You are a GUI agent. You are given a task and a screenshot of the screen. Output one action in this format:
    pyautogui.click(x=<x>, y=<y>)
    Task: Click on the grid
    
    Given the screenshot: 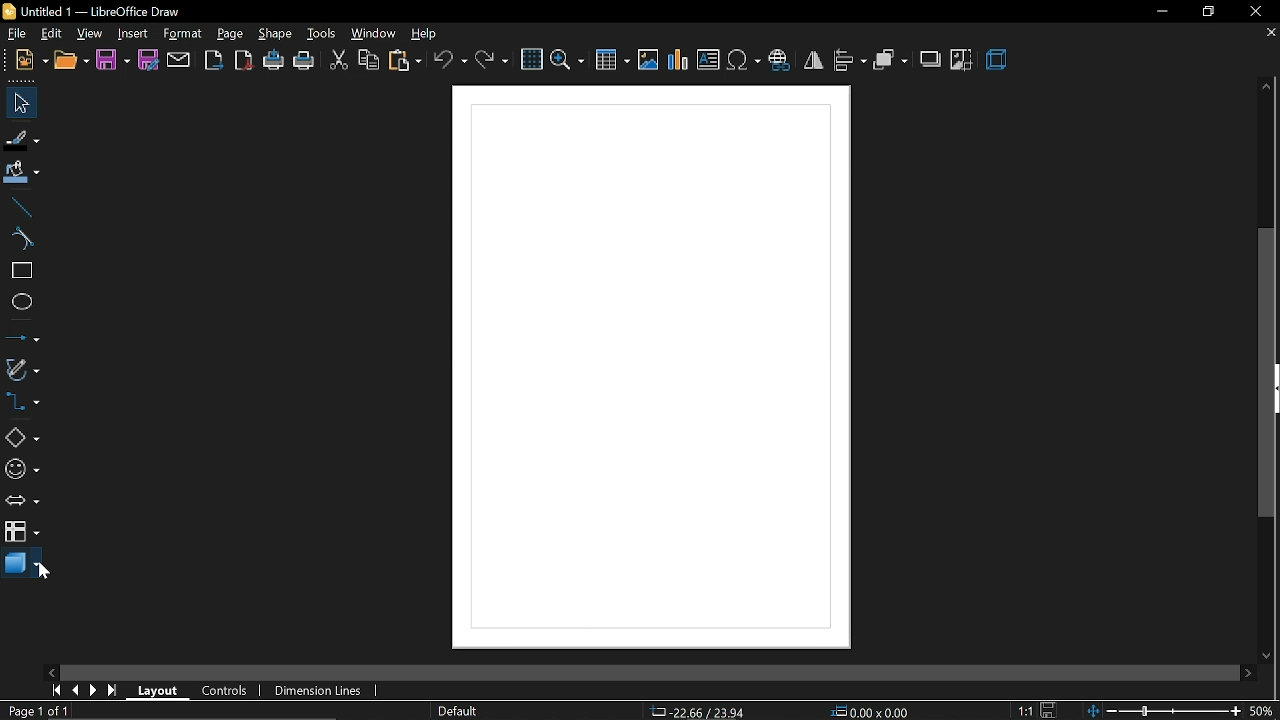 What is the action you would take?
    pyautogui.click(x=531, y=58)
    